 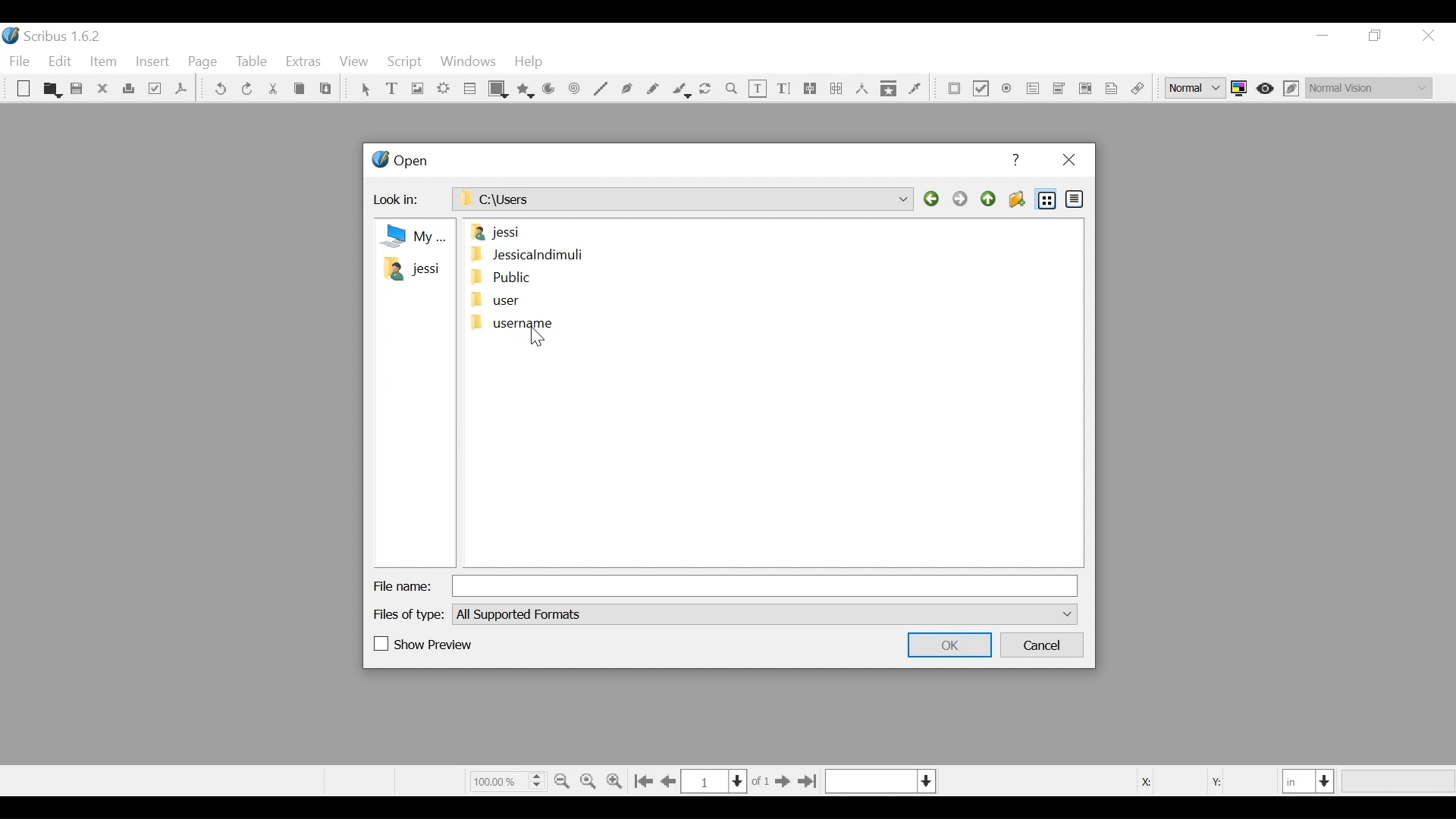 What do you see at coordinates (962, 199) in the screenshot?
I see `Forward` at bounding box center [962, 199].